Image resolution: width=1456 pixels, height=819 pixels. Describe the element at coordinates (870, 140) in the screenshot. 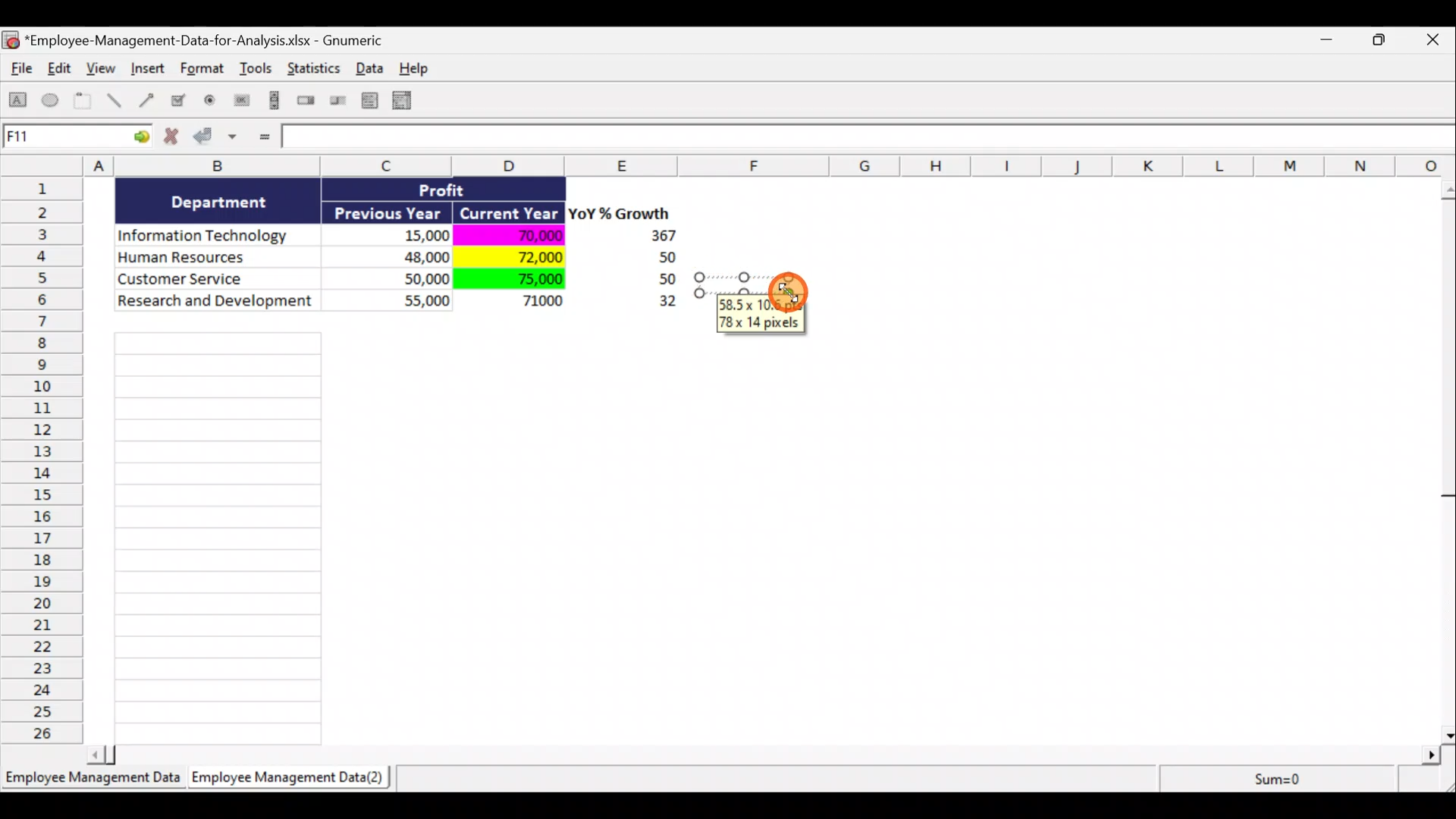

I see `Formula bar` at that location.